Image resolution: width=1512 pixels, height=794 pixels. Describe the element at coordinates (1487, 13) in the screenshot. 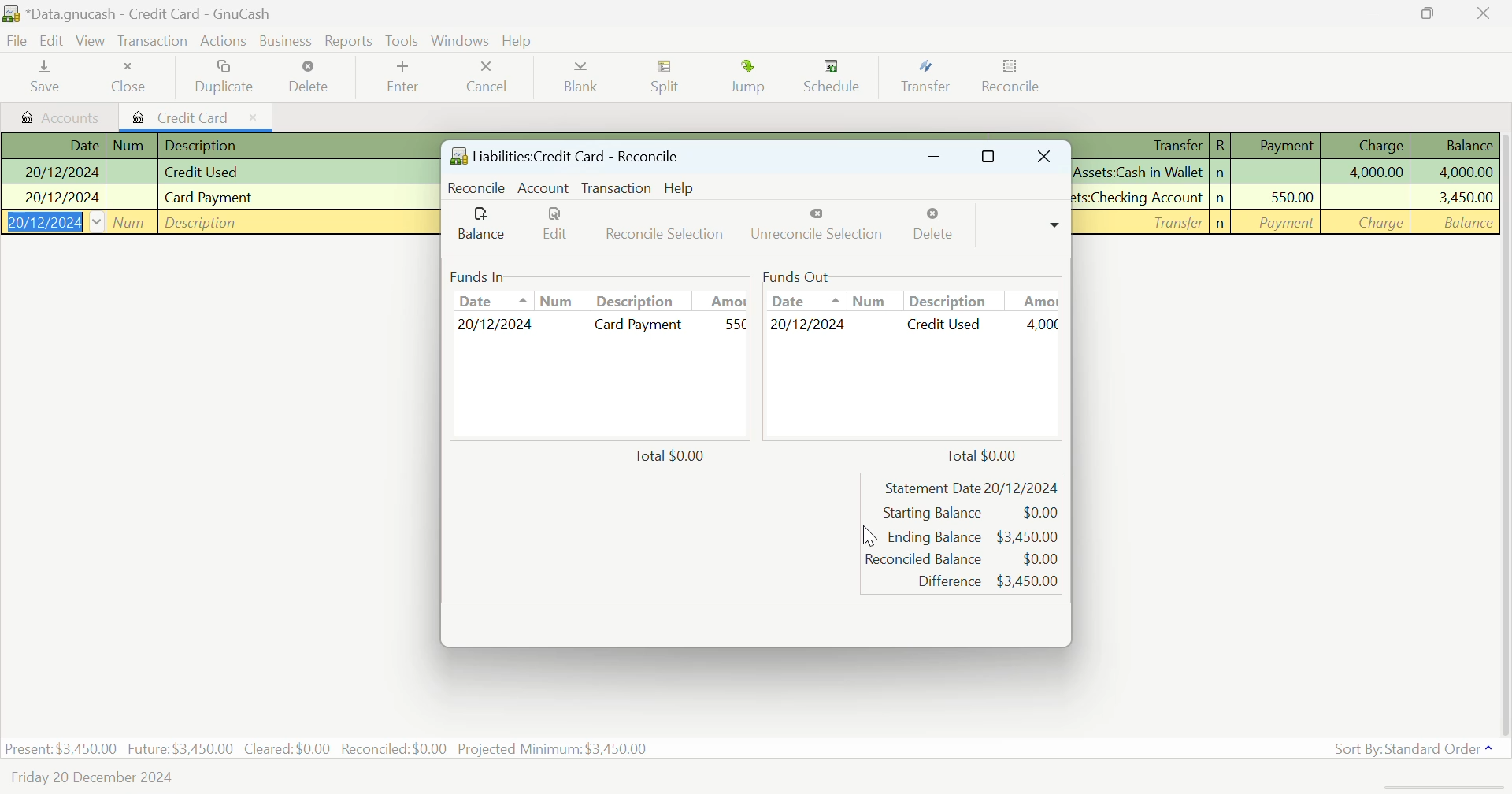

I see `Close Window` at that location.